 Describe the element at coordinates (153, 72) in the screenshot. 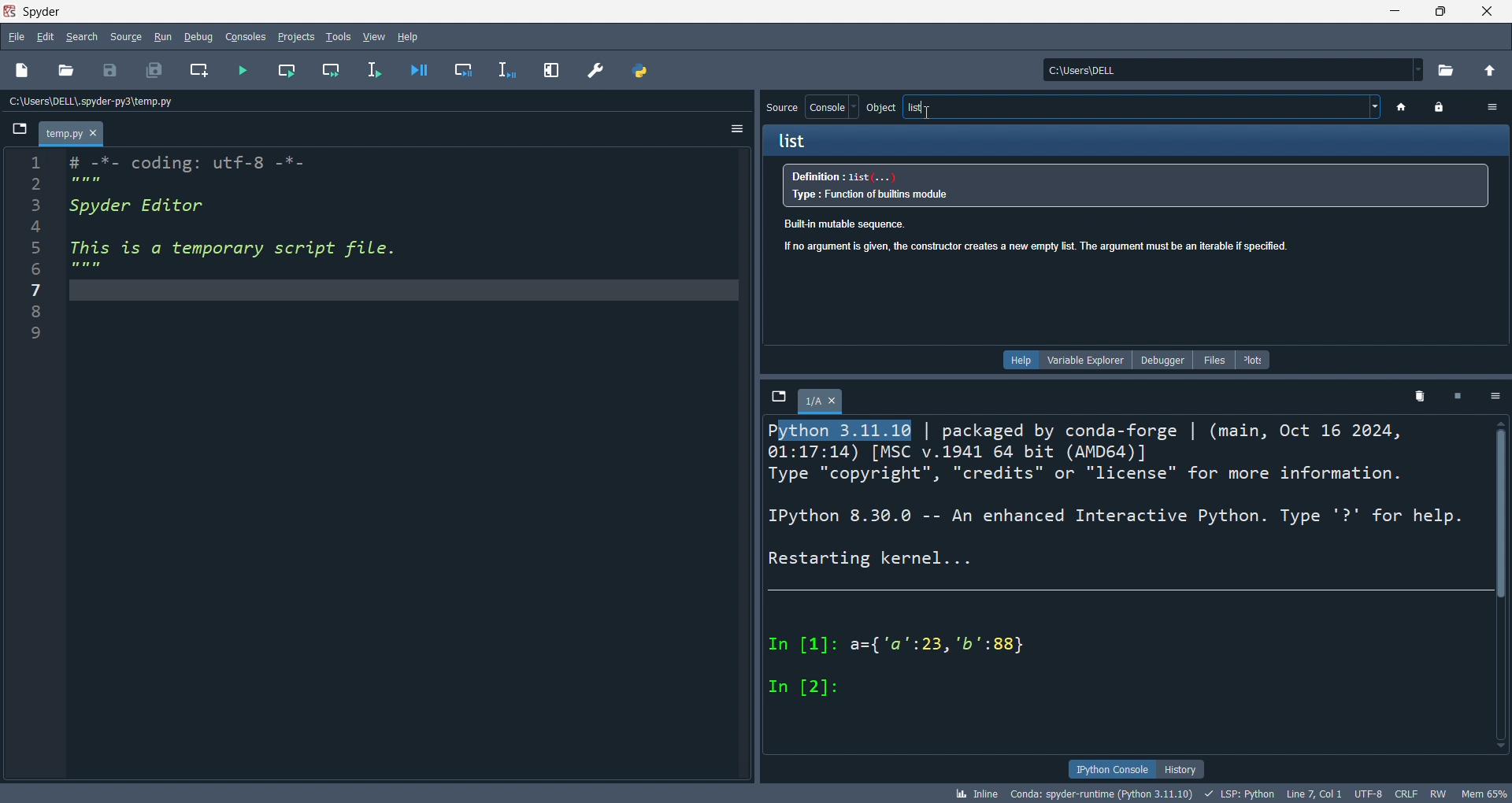

I see `save all` at that location.